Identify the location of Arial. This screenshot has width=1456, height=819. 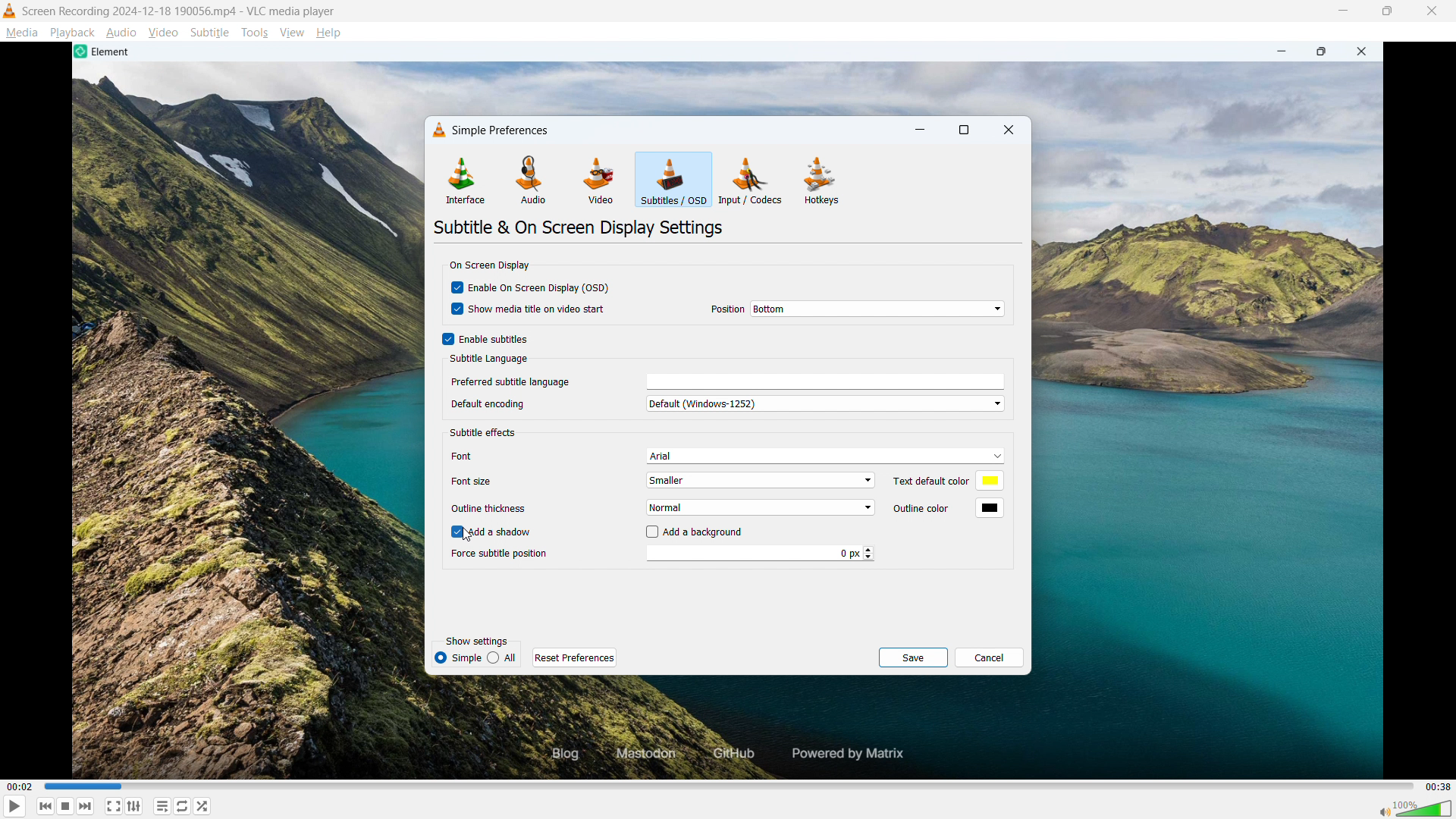
(827, 455).